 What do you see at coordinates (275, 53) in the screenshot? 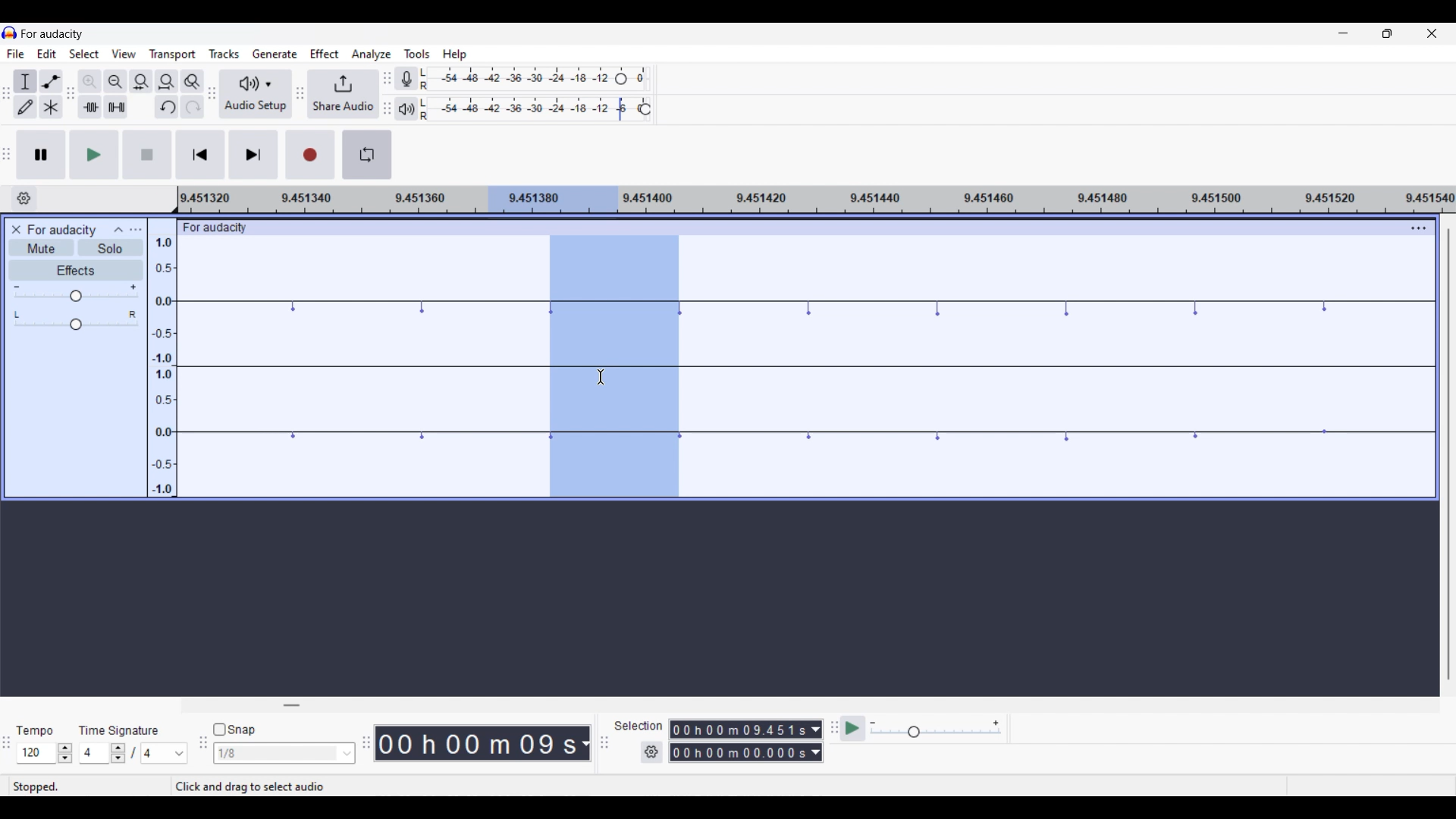
I see `Generate menu` at bounding box center [275, 53].